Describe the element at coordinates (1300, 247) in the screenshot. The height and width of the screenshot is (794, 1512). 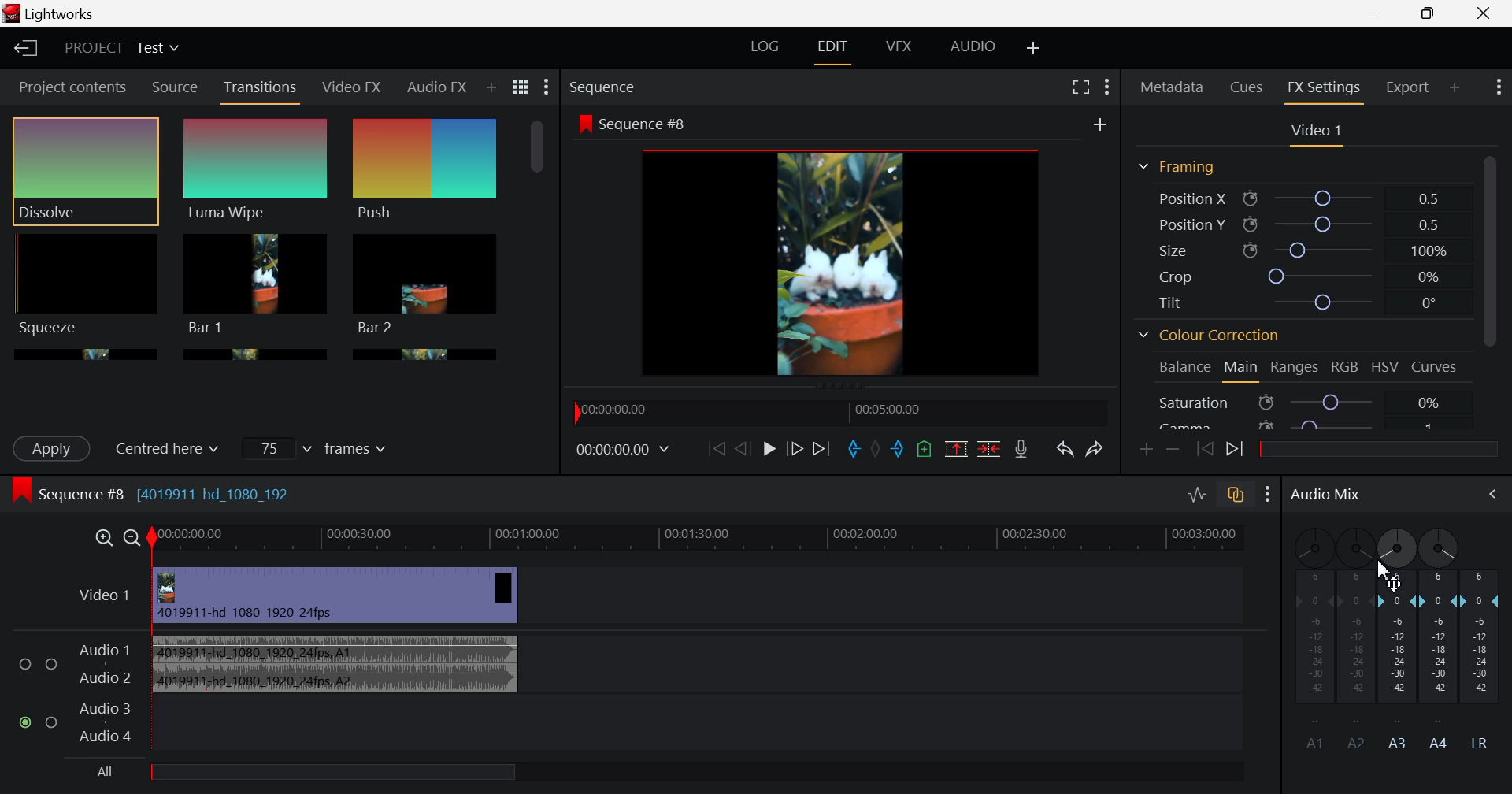
I see `Size` at that location.